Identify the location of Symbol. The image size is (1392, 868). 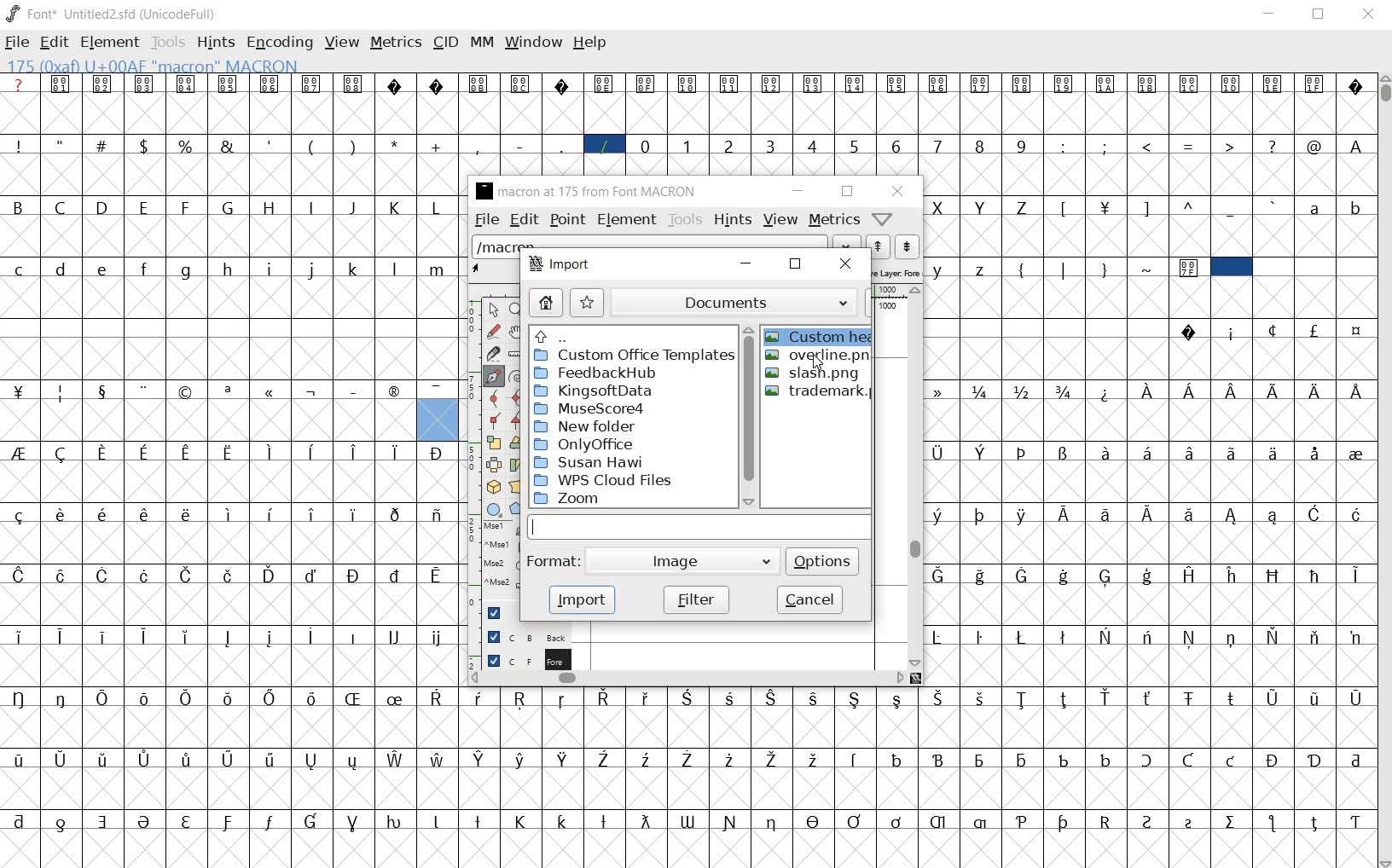
(1230, 451).